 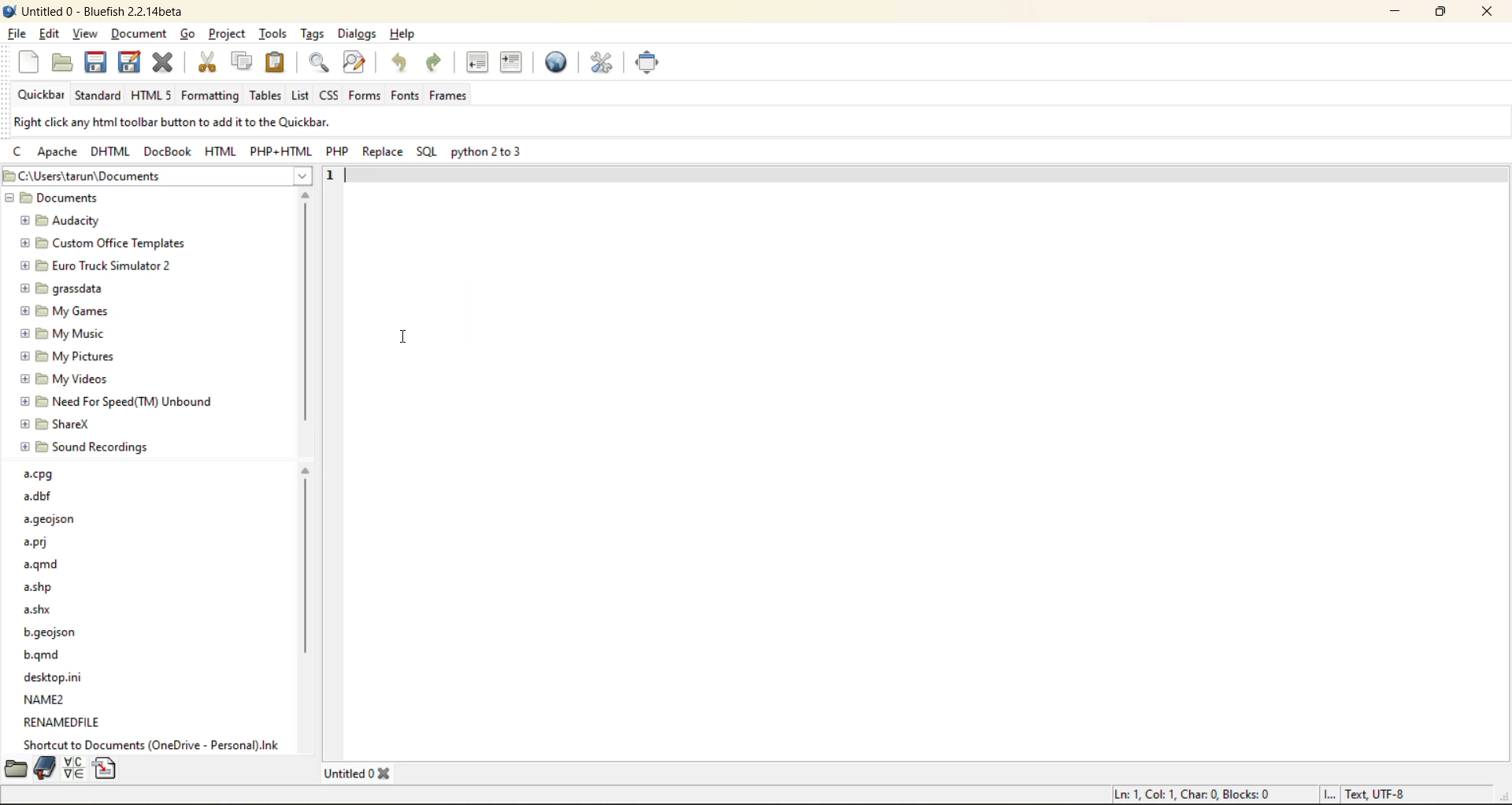 What do you see at coordinates (39, 608) in the screenshot?
I see `a.shx` at bounding box center [39, 608].